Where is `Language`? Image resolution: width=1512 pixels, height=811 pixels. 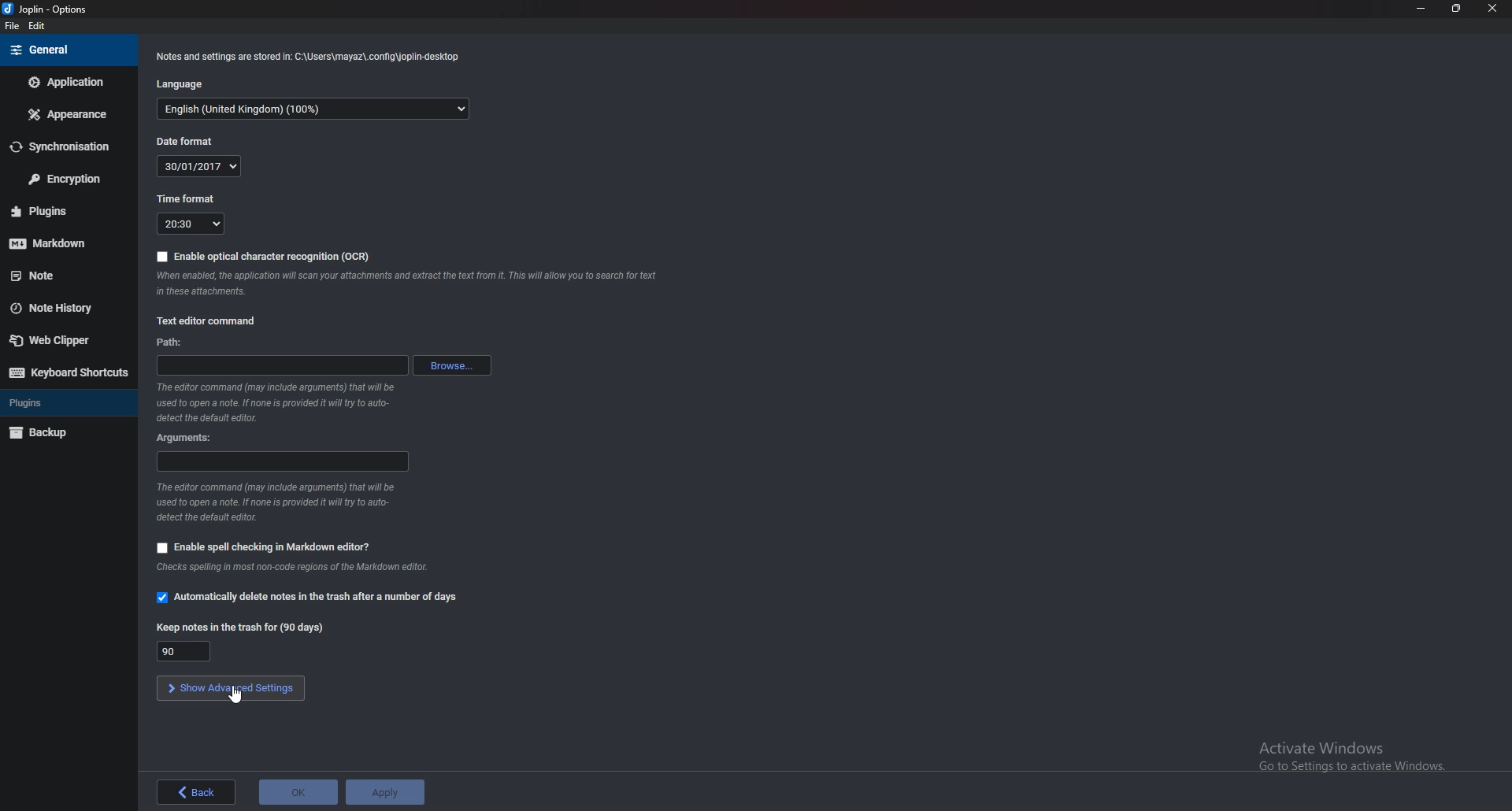
Language is located at coordinates (182, 83).